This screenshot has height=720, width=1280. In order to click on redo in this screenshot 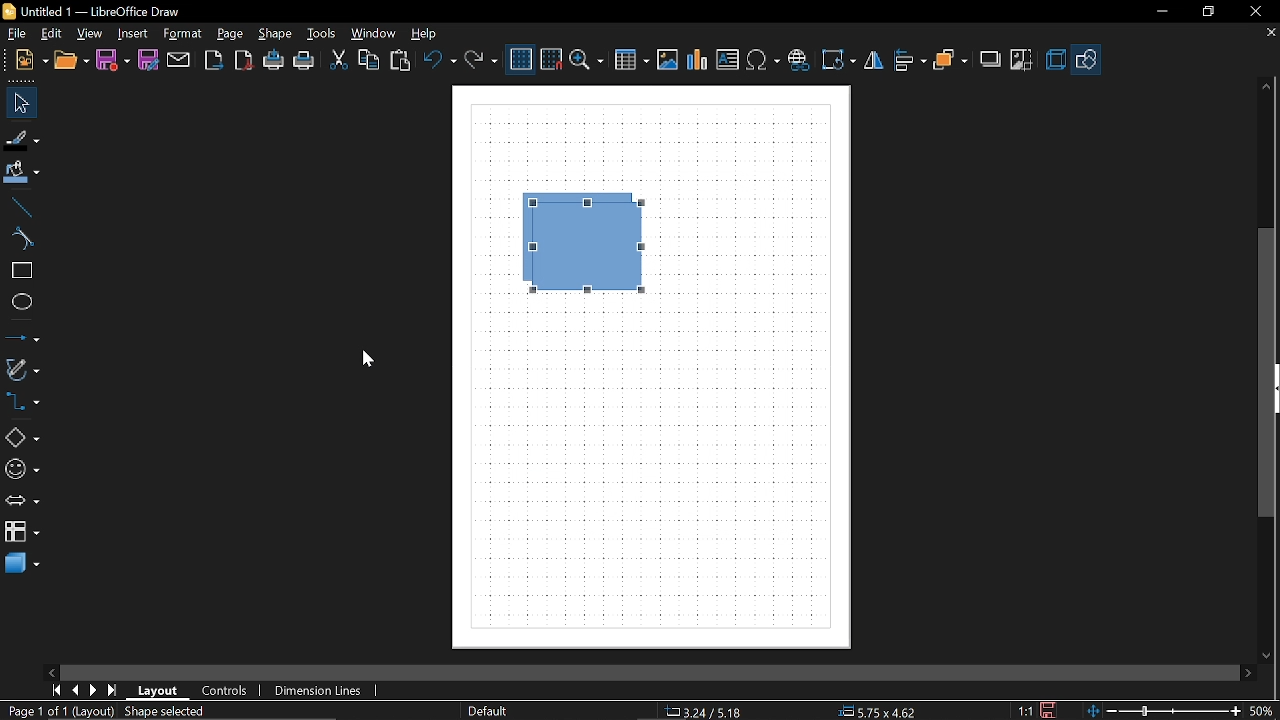, I will do `click(480, 61)`.